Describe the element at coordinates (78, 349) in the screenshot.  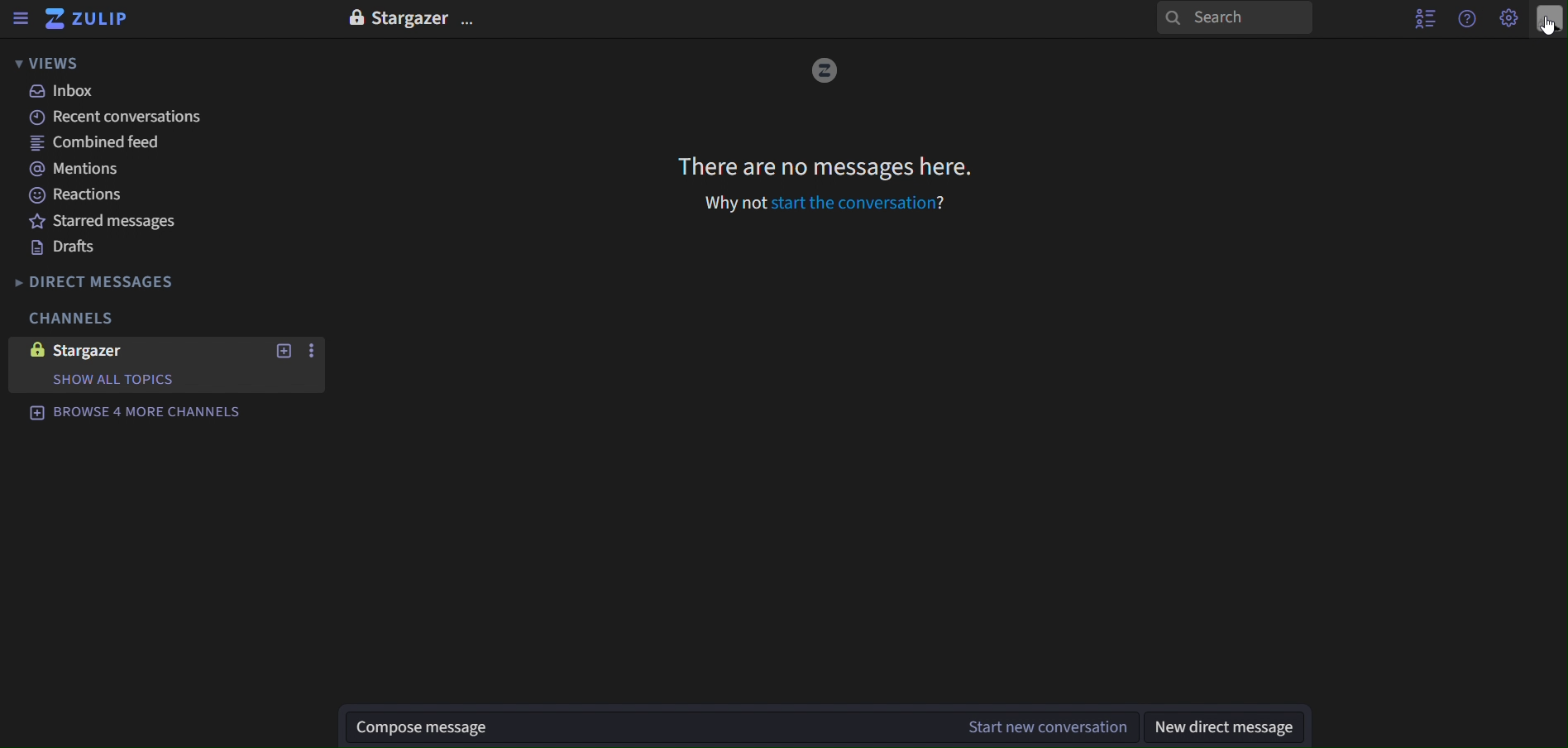
I see `stargazer` at that location.